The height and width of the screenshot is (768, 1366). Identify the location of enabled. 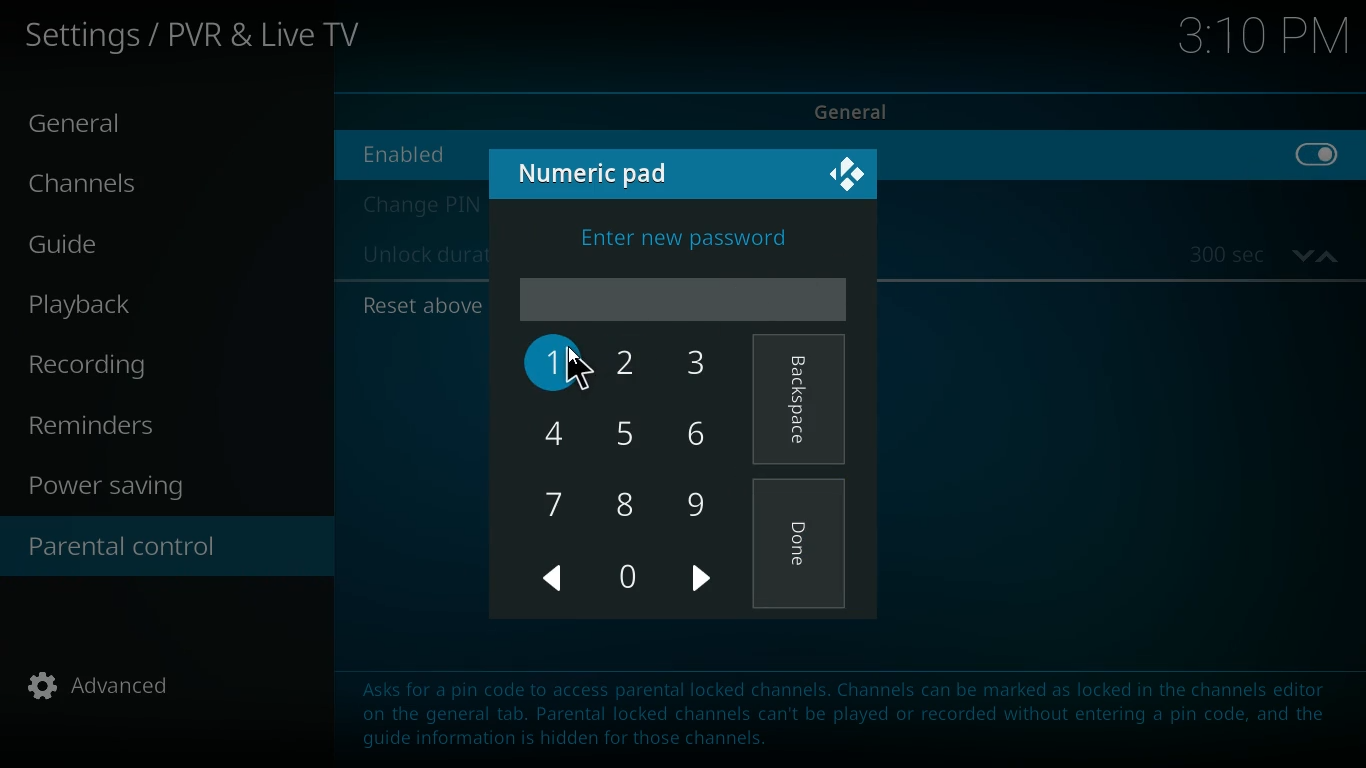
(418, 153).